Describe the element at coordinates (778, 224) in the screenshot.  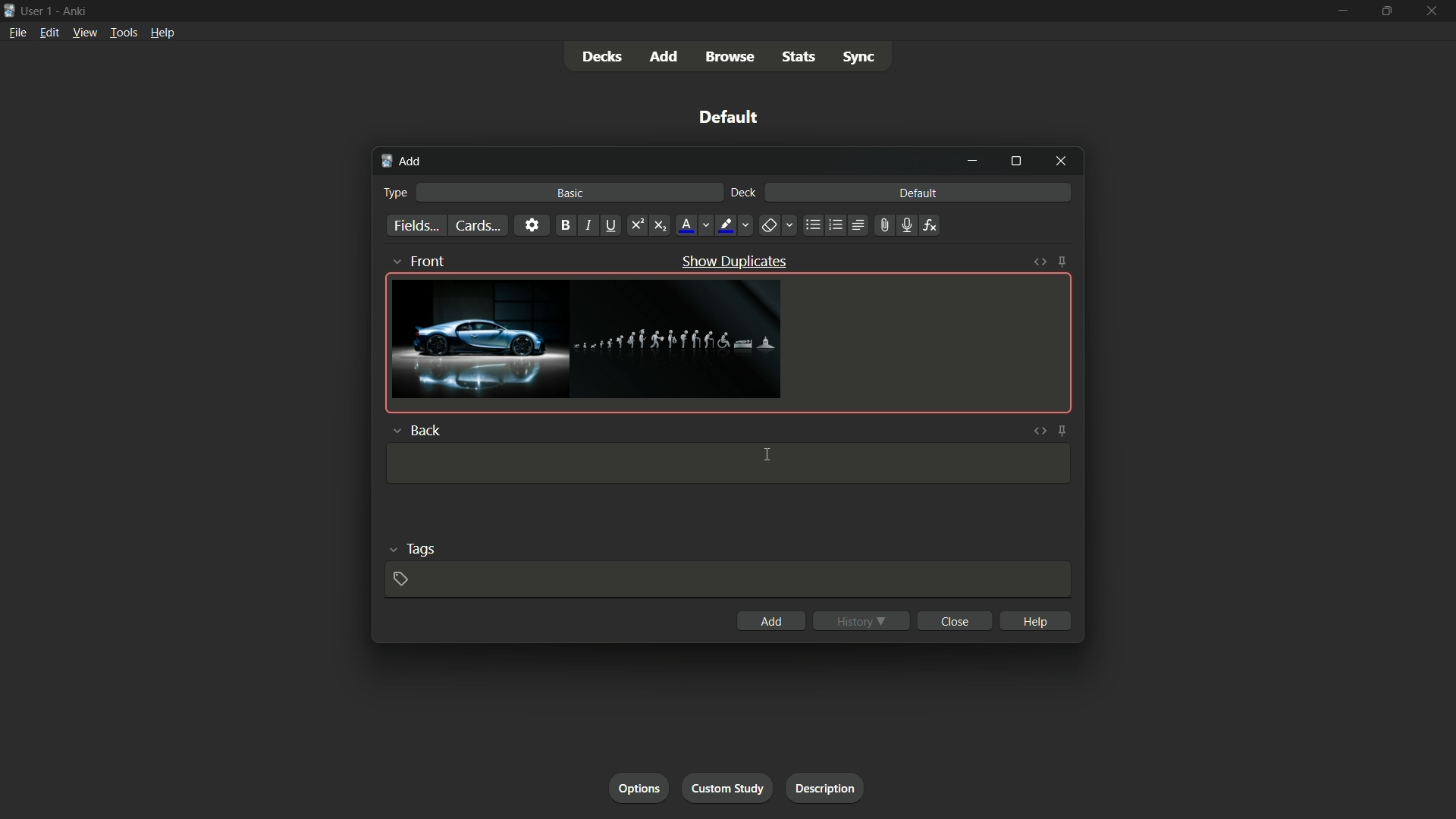
I see `remove formatting` at that location.